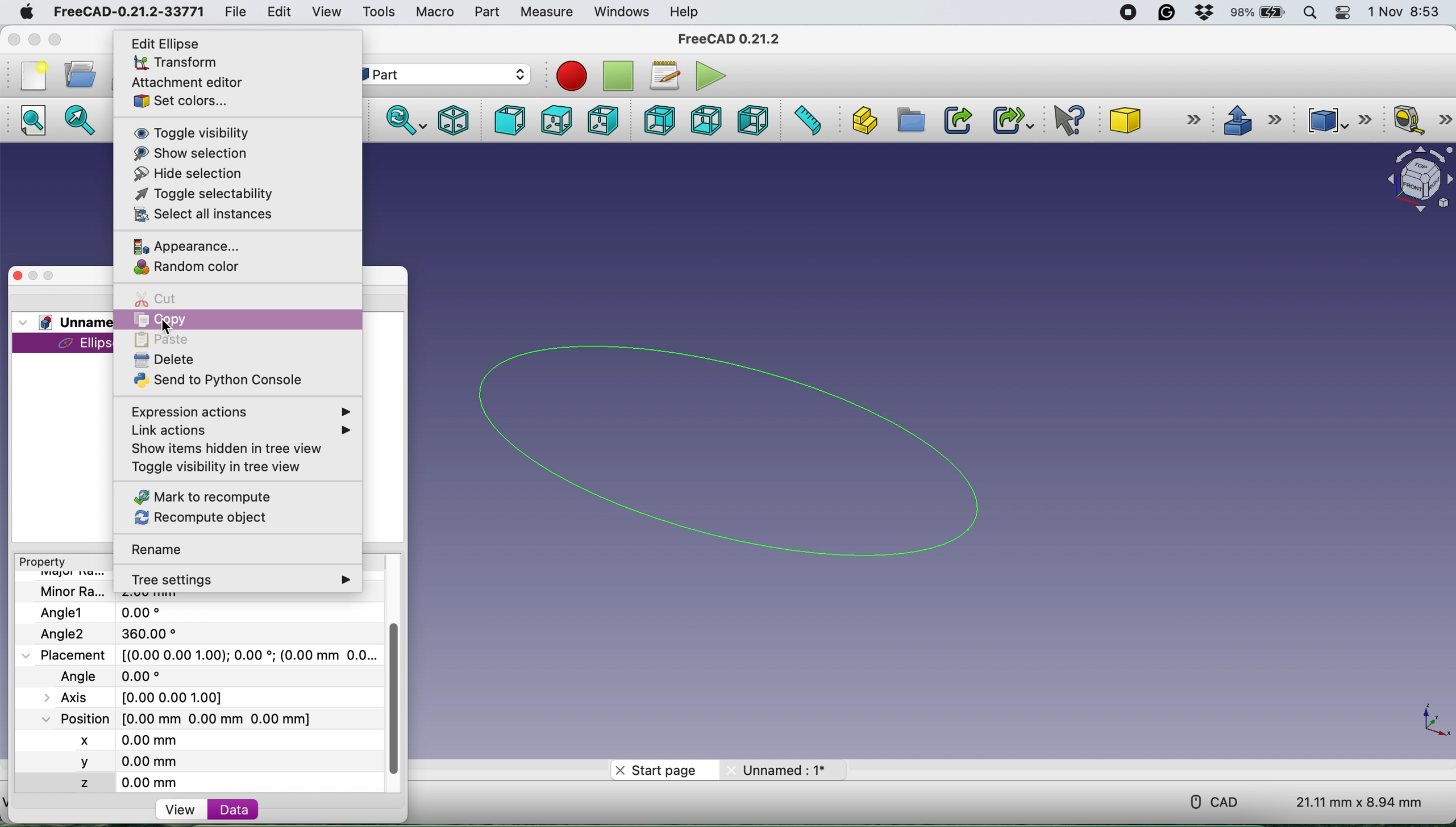 The width and height of the screenshot is (1456, 827). I want to click on battery, so click(1257, 14).